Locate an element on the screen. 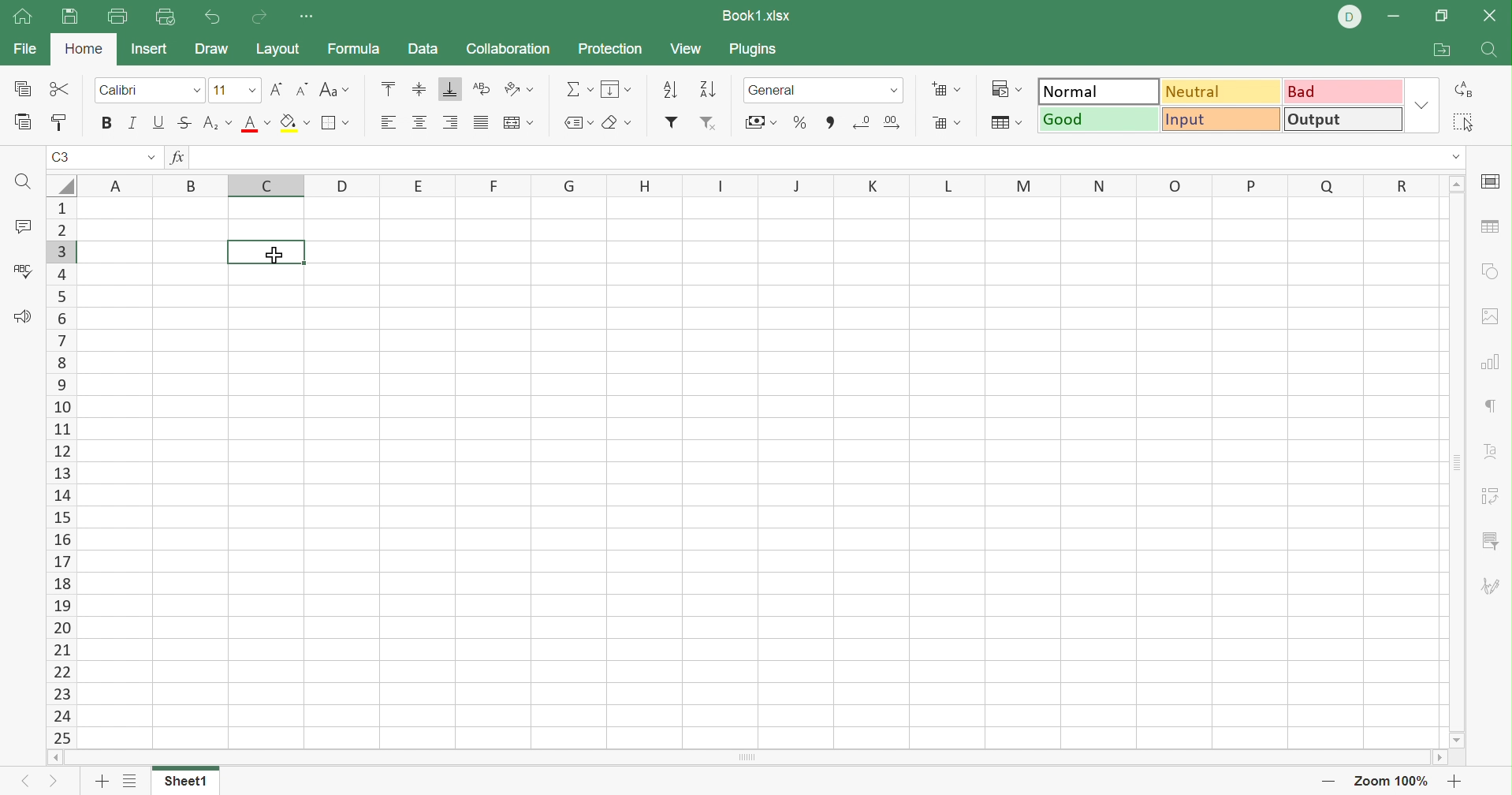 This screenshot has height=795, width=1512. Remove filter is located at coordinates (710, 122).